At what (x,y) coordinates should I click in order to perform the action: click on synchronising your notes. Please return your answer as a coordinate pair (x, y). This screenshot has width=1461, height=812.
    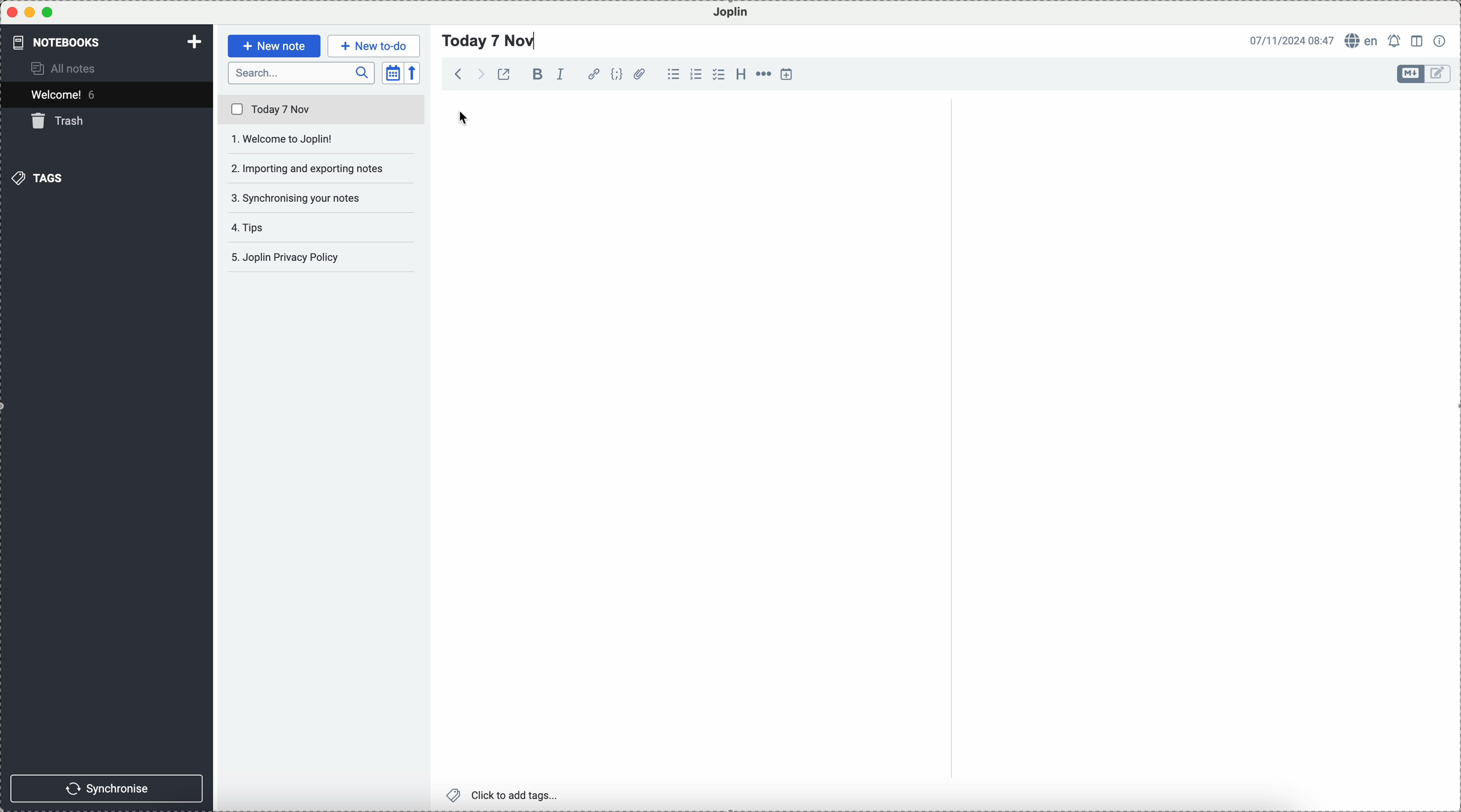
    Looking at the image, I should click on (322, 200).